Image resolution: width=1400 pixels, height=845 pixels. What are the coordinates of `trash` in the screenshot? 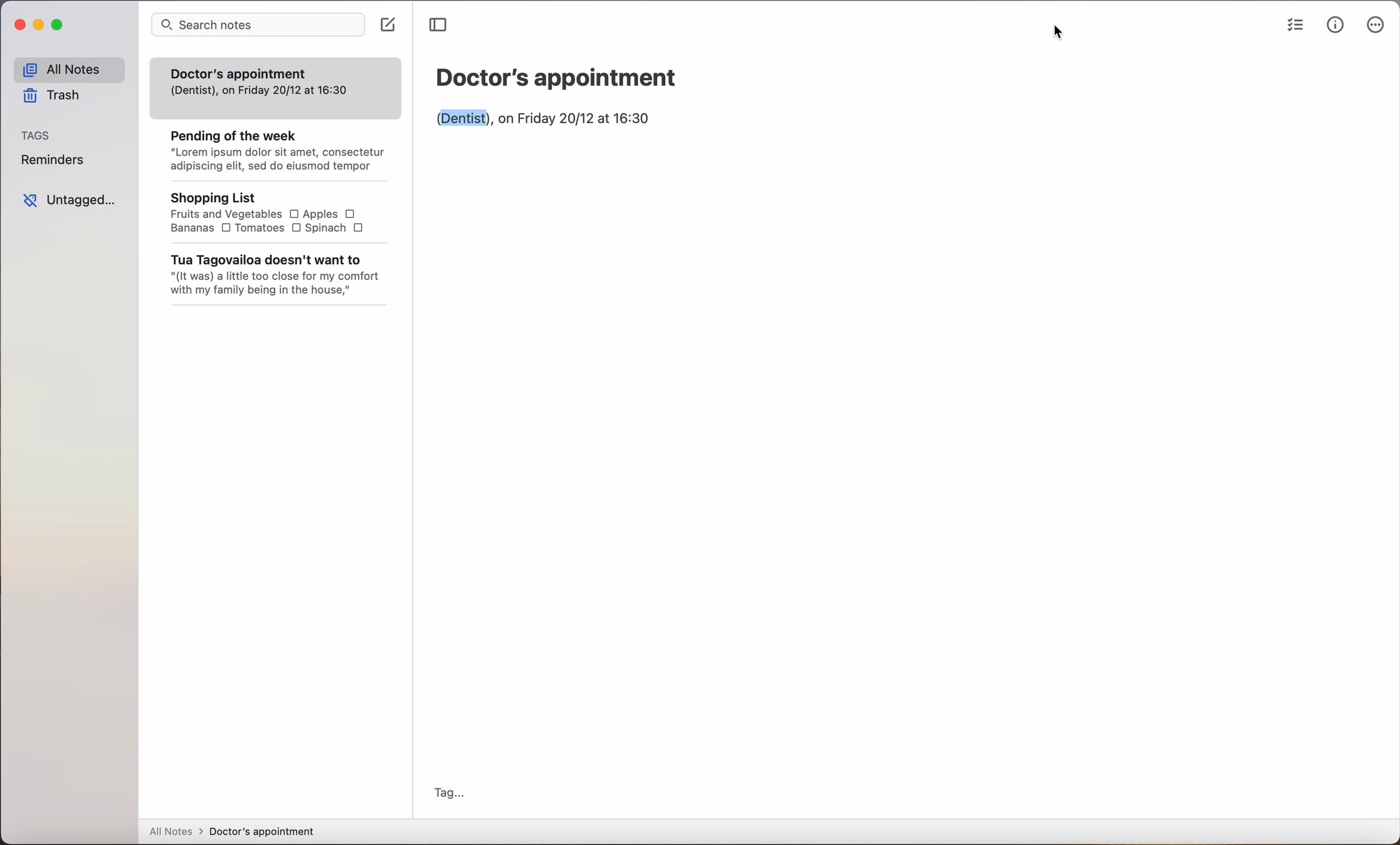 It's located at (52, 97).